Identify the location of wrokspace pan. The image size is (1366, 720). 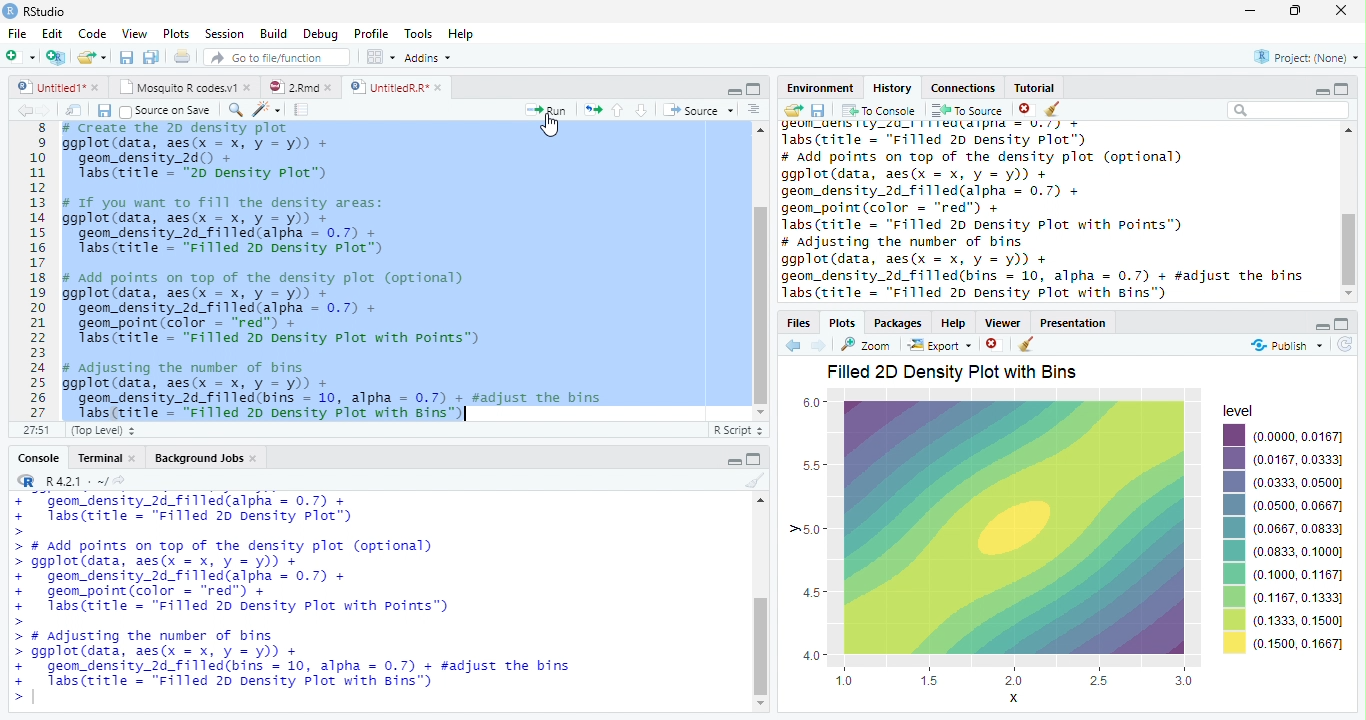
(379, 57).